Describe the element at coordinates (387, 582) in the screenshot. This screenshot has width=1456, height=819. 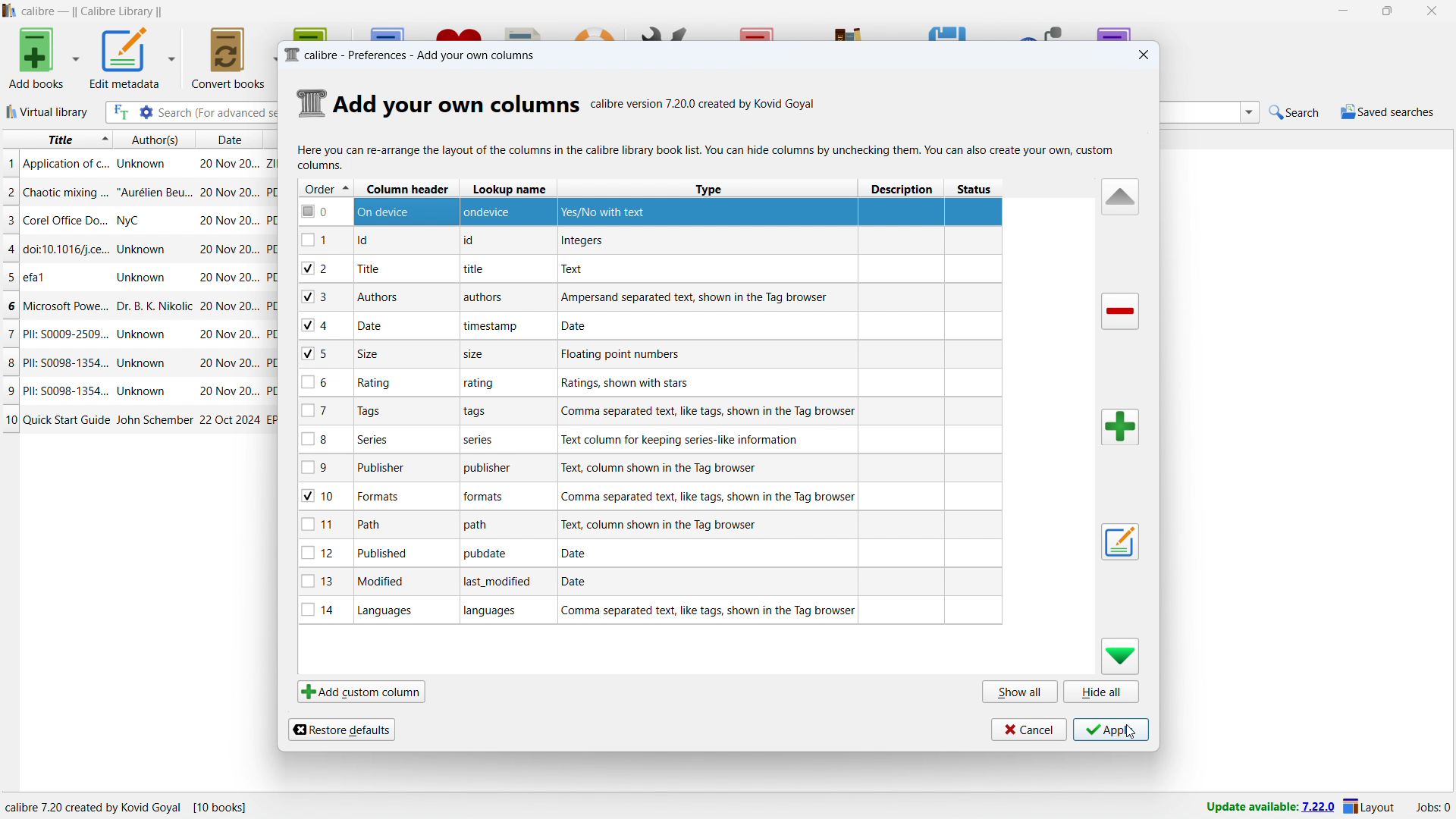
I see `modified` at that location.